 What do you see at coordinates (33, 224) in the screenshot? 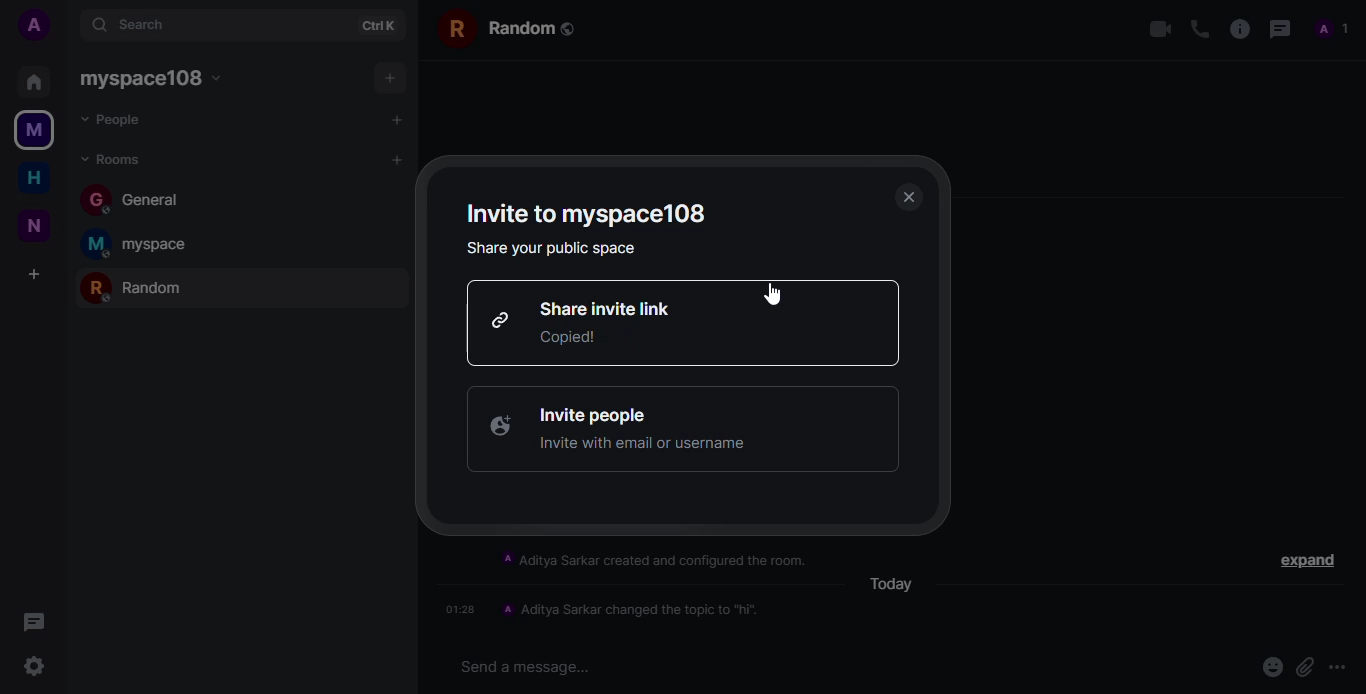
I see `new` at bounding box center [33, 224].